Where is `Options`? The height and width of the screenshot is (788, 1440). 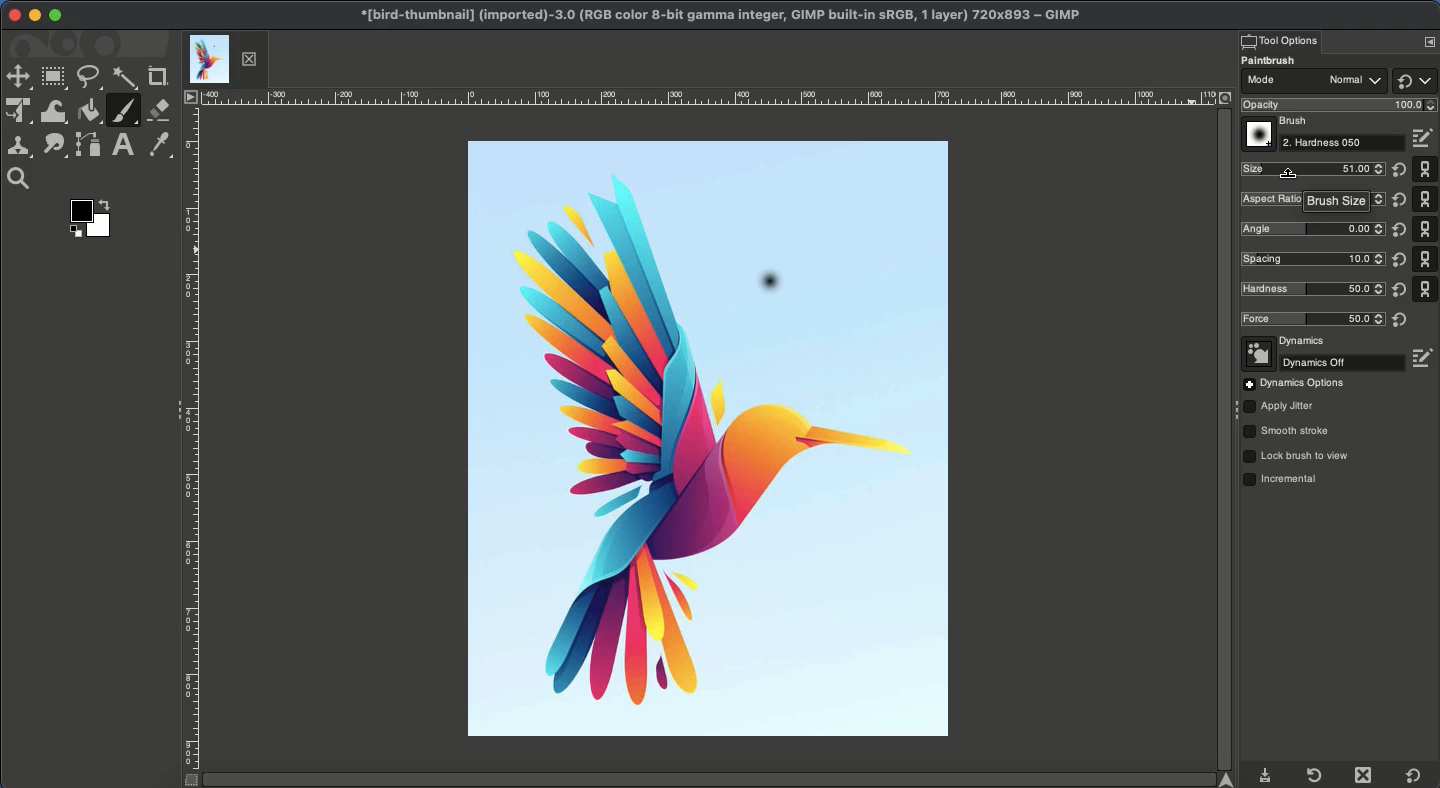 Options is located at coordinates (1294, 384).